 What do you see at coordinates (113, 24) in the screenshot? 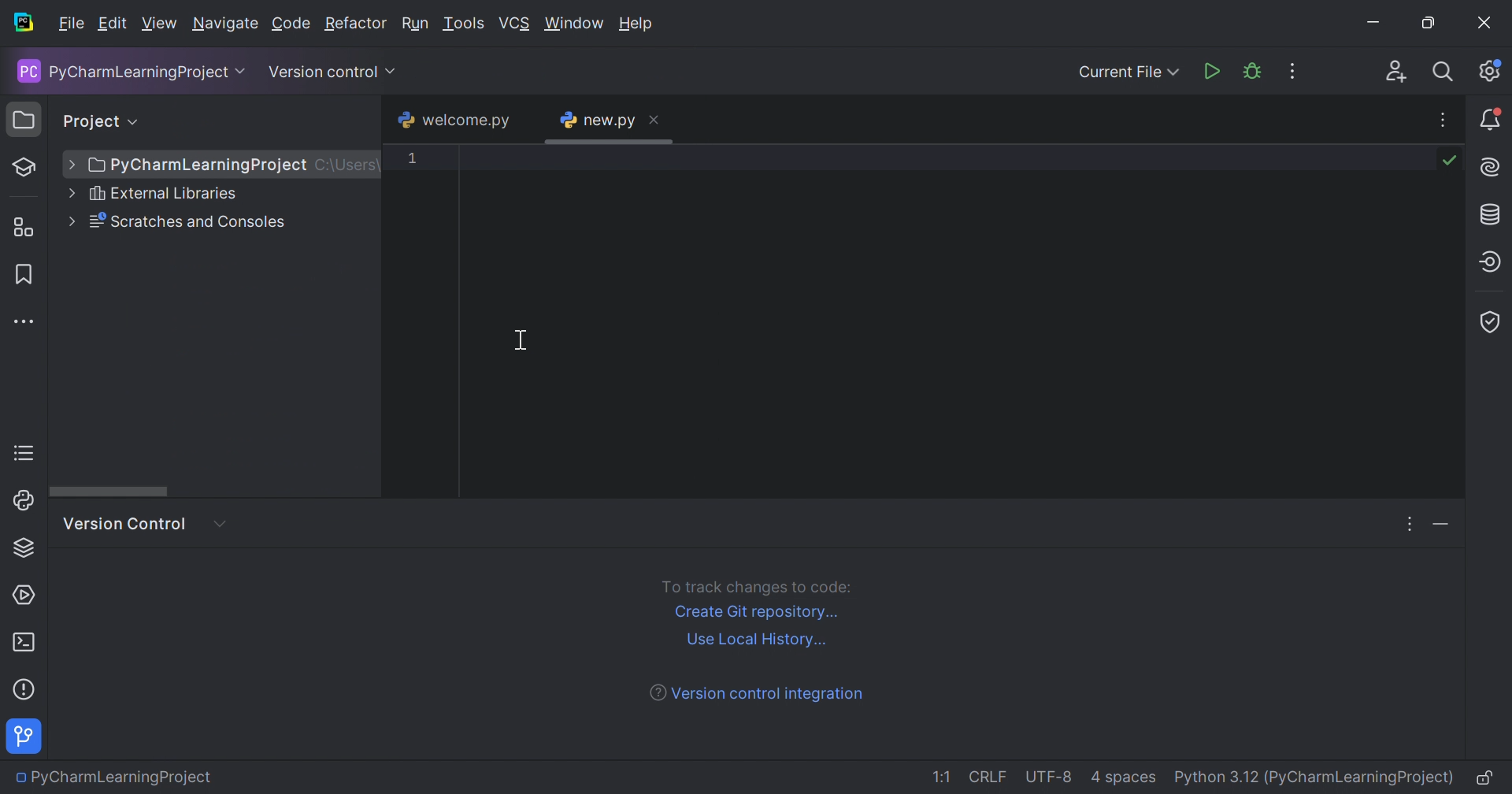
I see `Edit` at bounding box center [113, 24].